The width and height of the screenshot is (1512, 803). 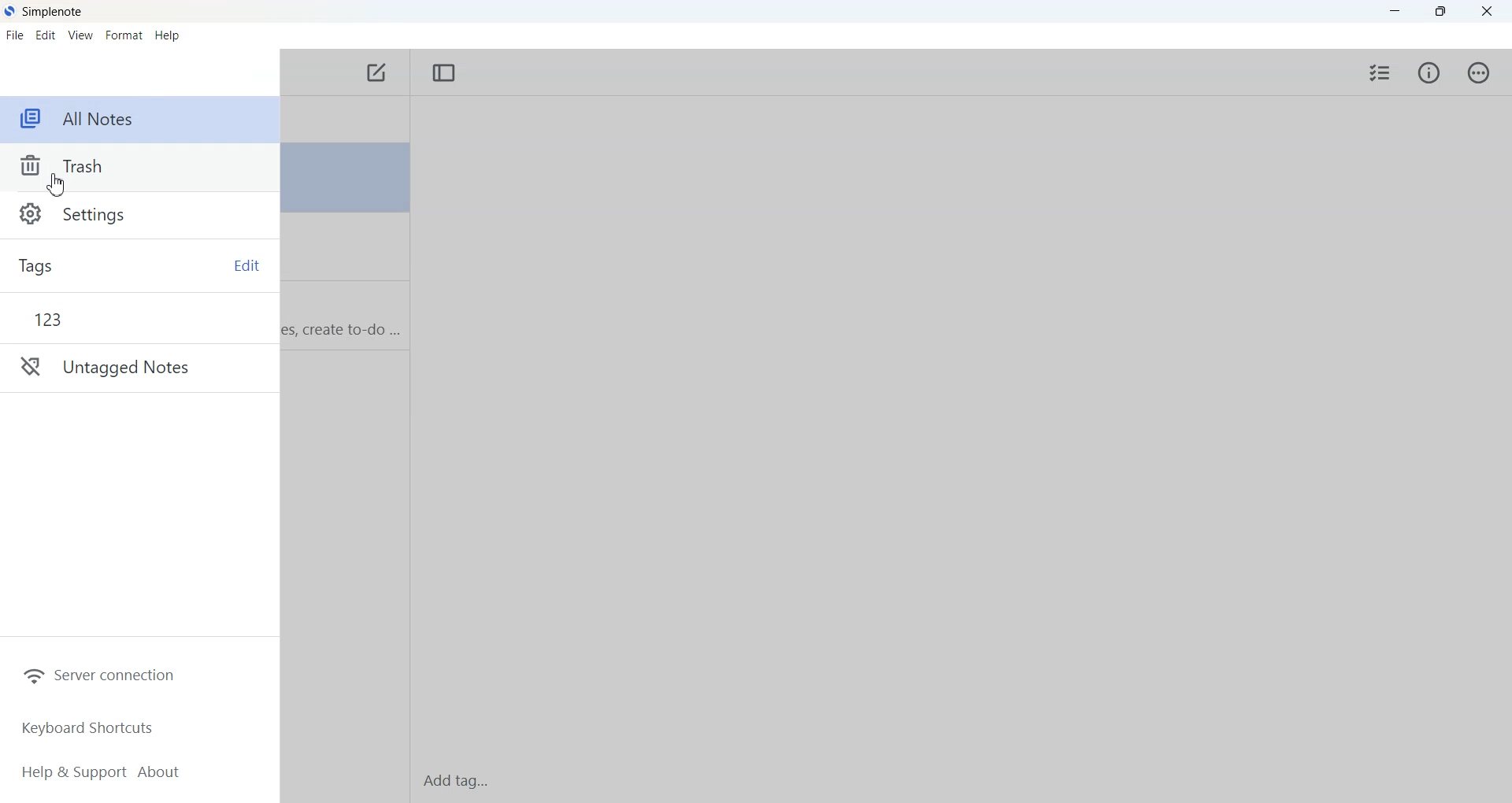 I want to click on Toggle Focus Mode, so click(x=443, y=74).